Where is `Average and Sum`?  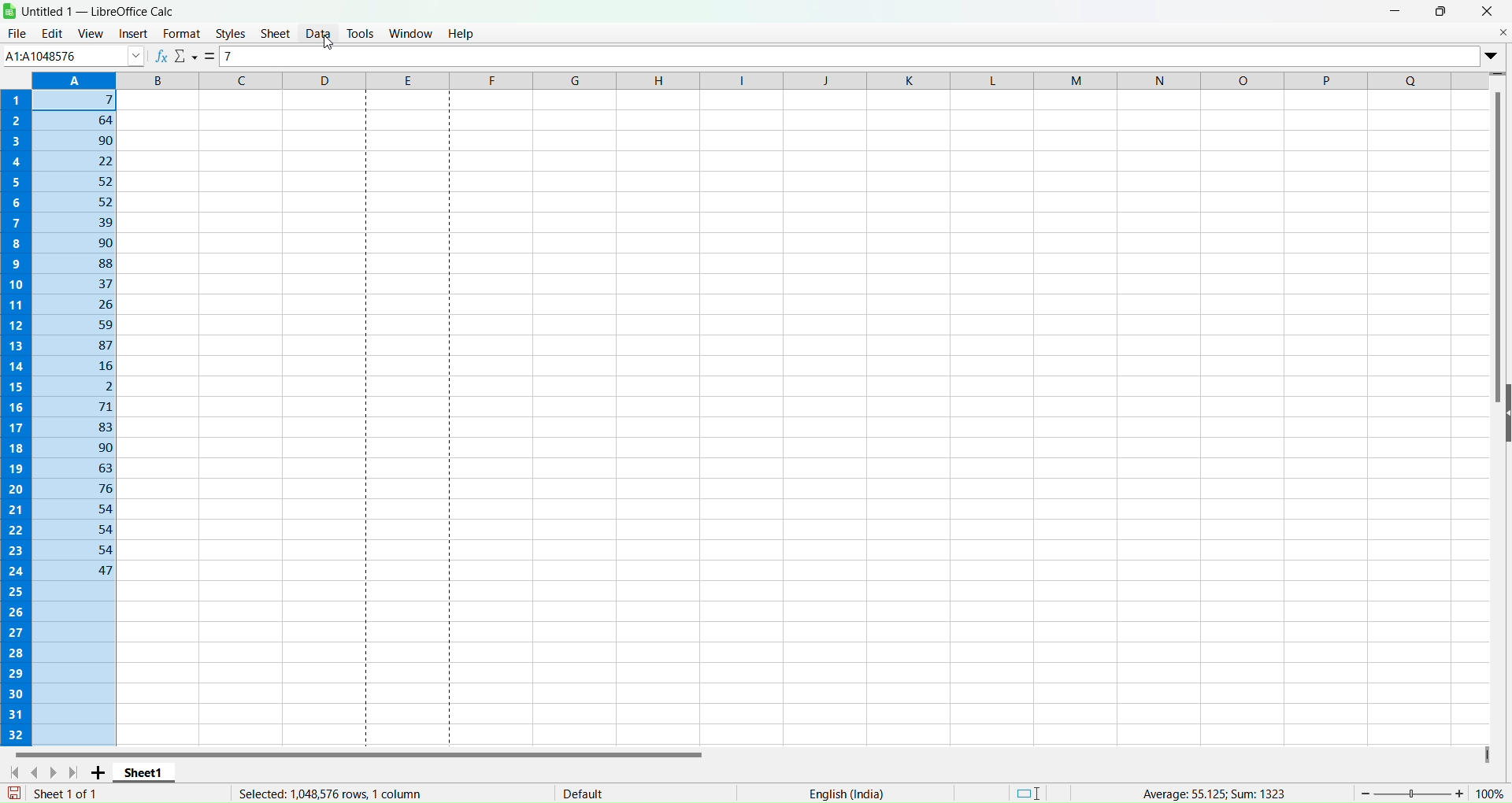 Average and Sum is located at coordinates (1210, 790).